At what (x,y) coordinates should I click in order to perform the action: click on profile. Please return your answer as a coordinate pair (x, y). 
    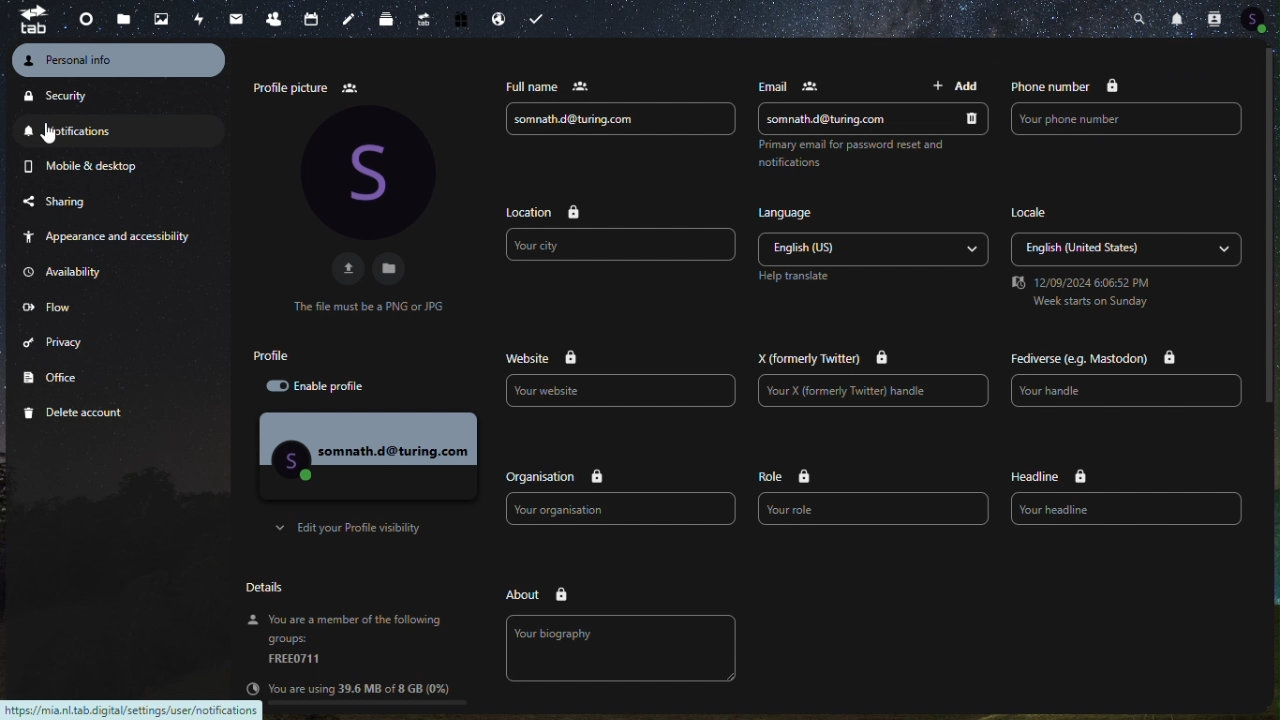
    Looking at the image, I should click on (367, 455).